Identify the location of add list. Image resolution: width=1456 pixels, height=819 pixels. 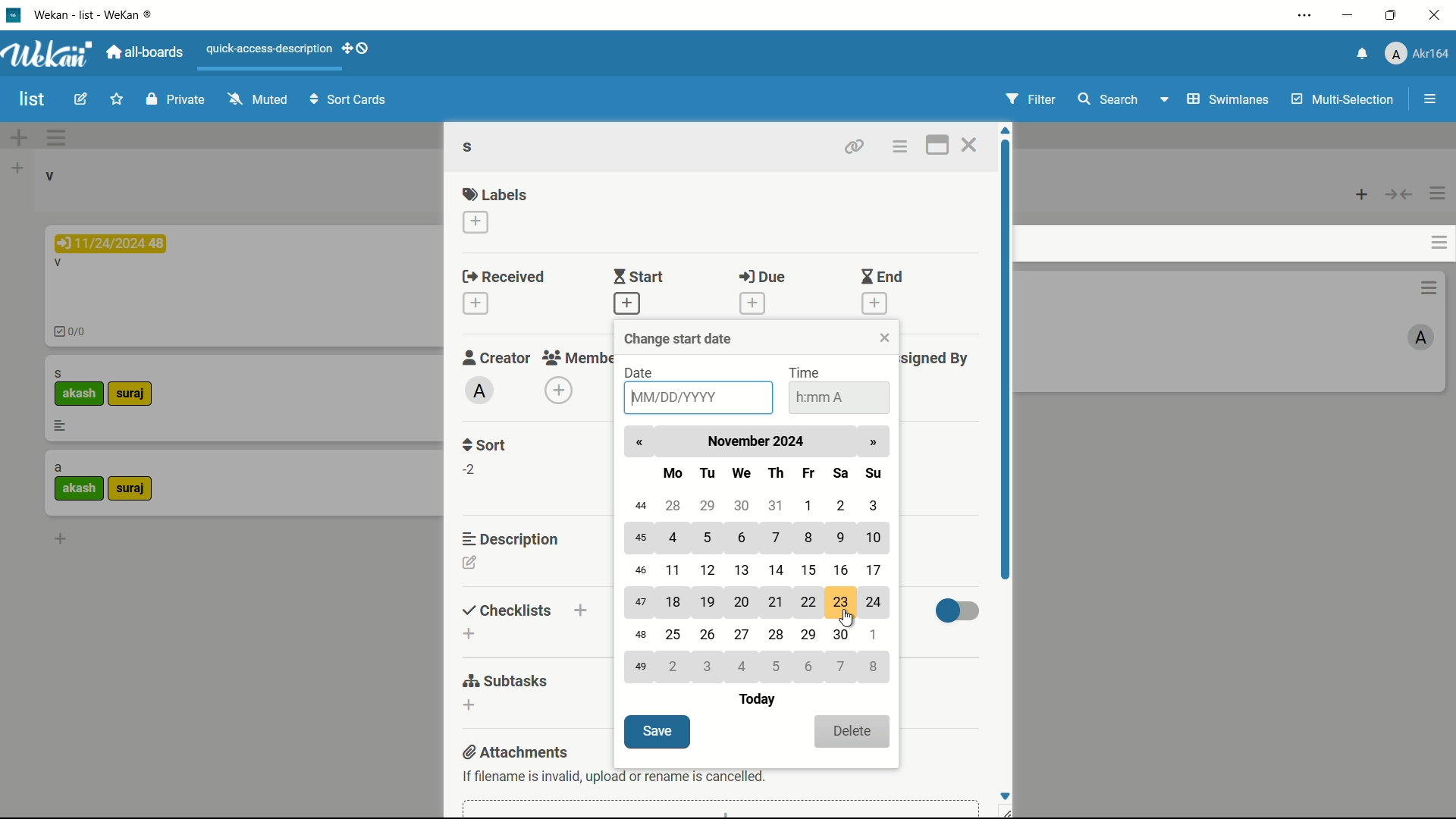
(17, 169).